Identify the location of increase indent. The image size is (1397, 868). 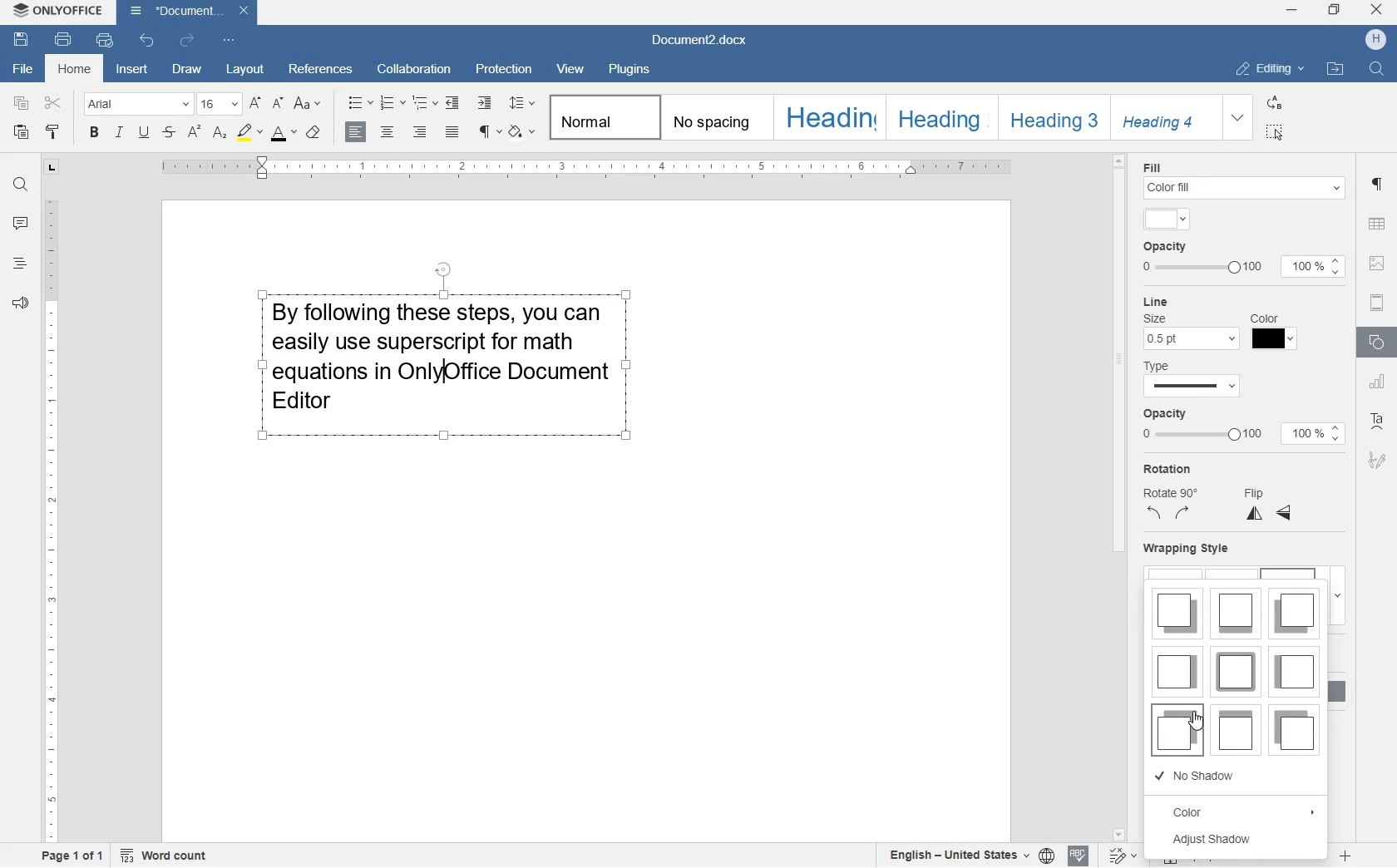
(485, 103).